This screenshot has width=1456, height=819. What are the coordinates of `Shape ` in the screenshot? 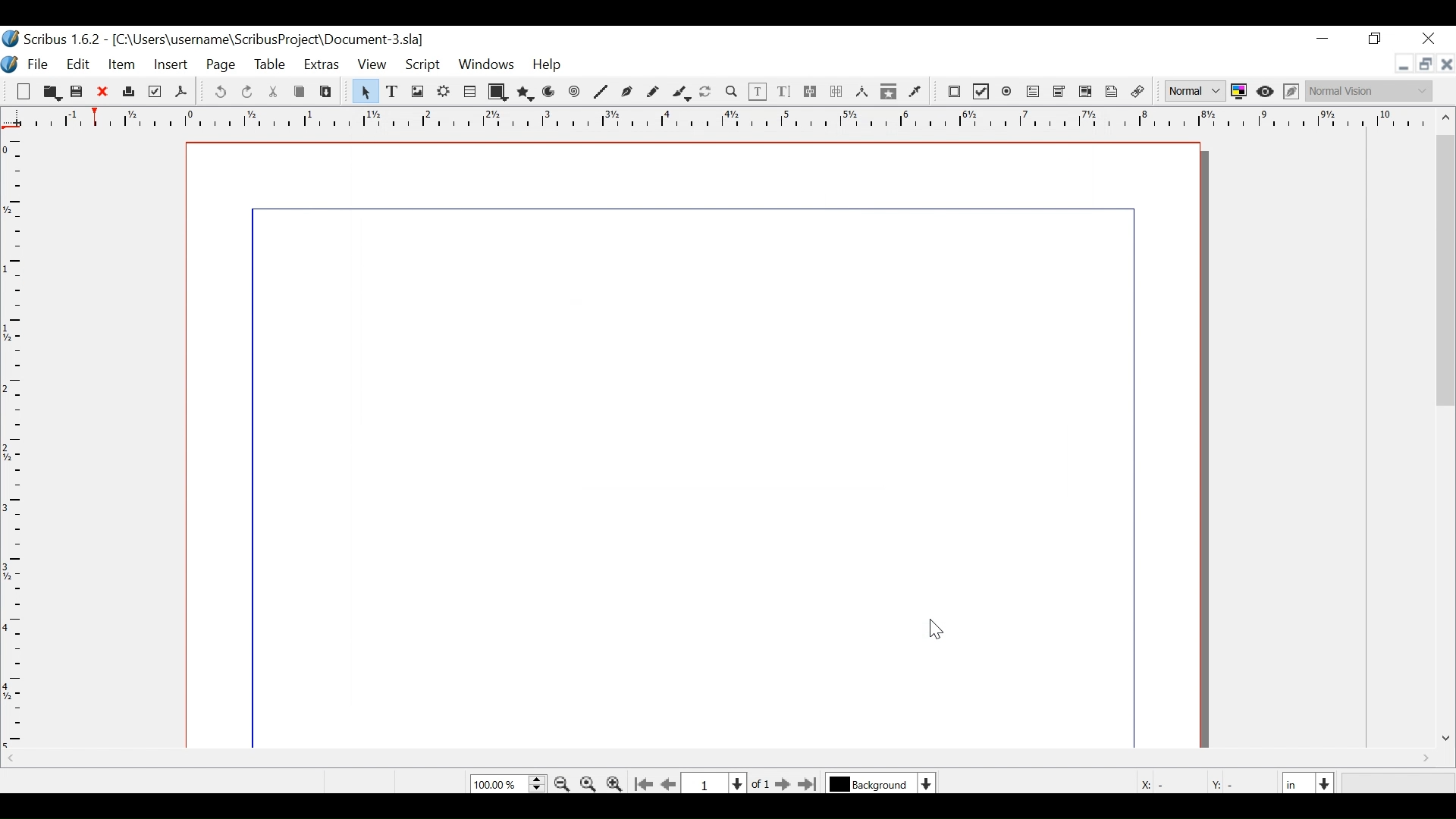 It's located at (497, 92).